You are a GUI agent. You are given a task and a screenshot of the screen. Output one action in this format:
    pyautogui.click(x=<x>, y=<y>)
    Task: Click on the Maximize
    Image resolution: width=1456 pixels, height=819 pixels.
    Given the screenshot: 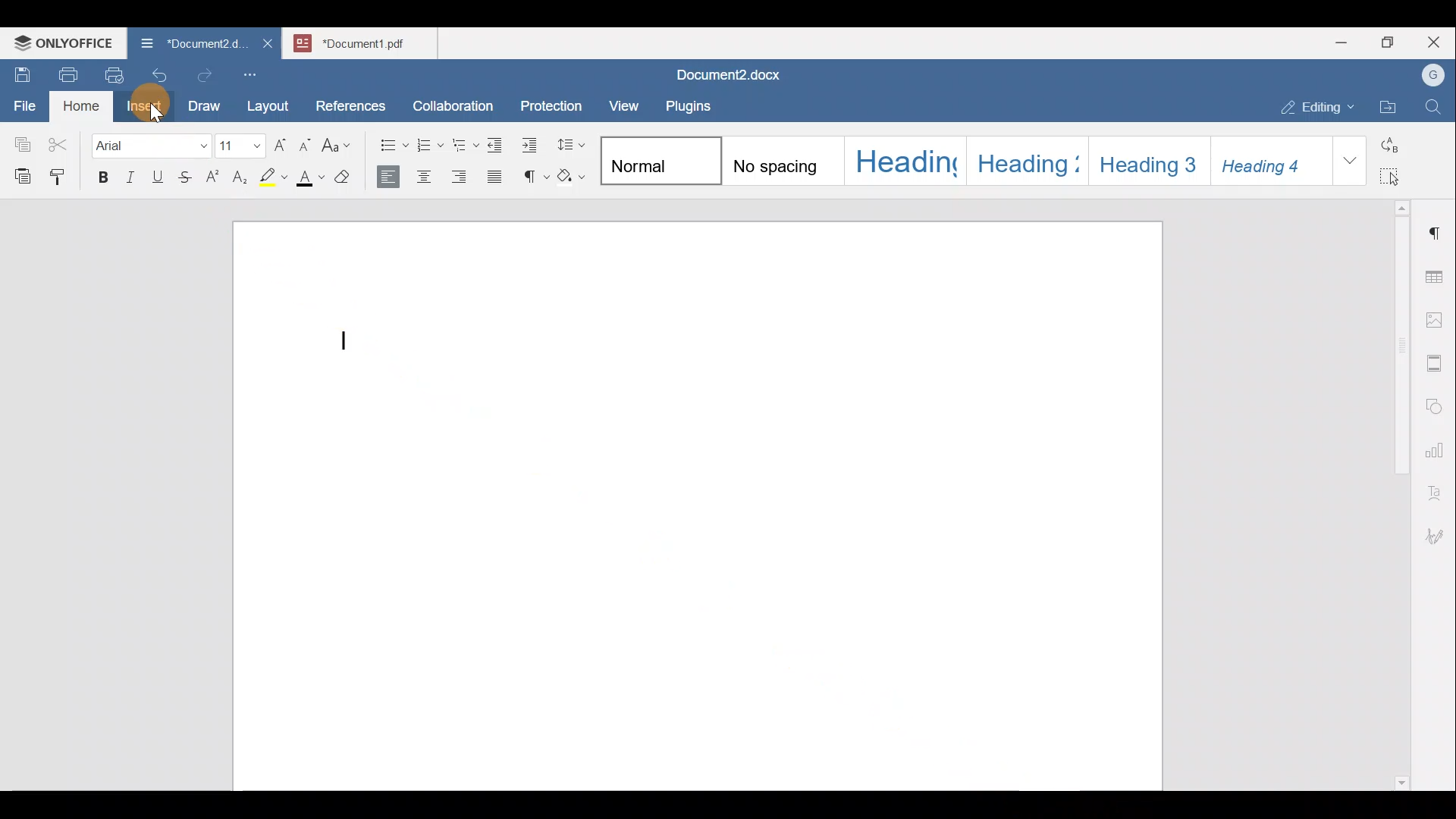 What is the action you would take?
    pyautogui.click(x=1392, y=42)
    